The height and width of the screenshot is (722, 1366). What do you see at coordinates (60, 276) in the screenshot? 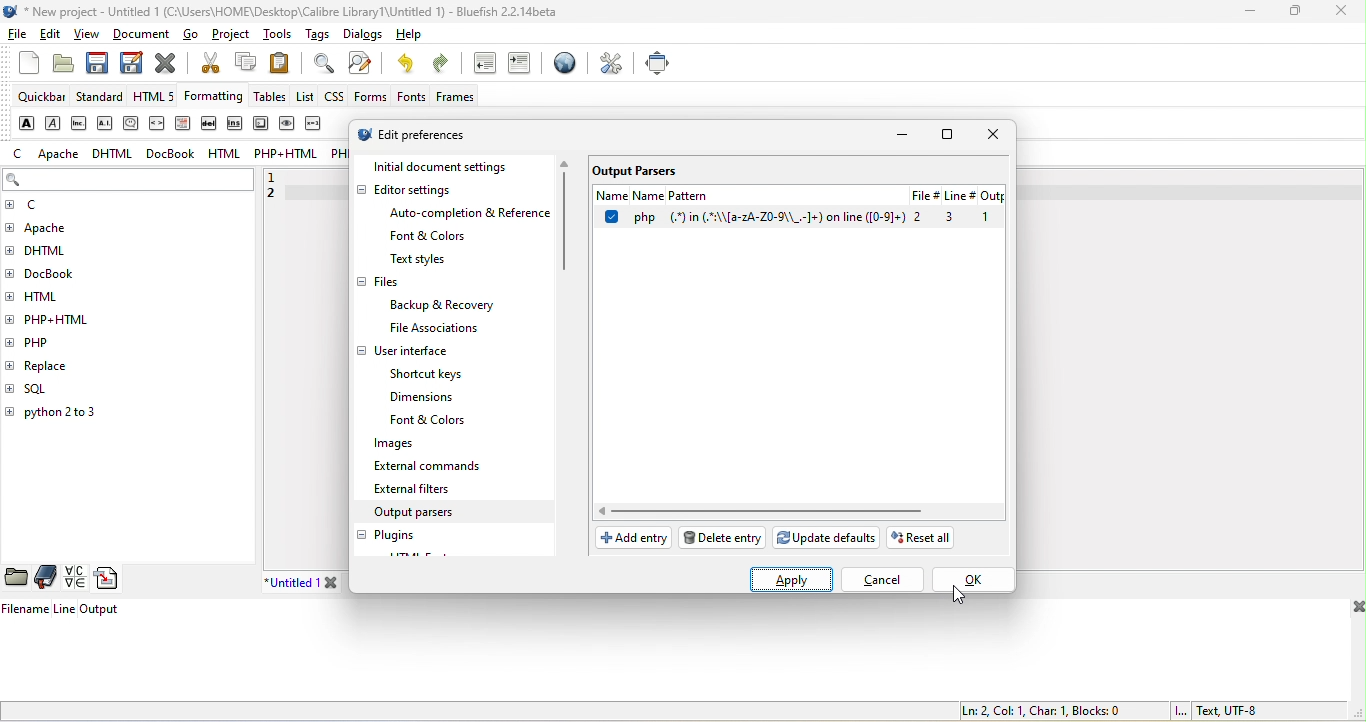
I see `docbook` at bounding box center [60, 276].